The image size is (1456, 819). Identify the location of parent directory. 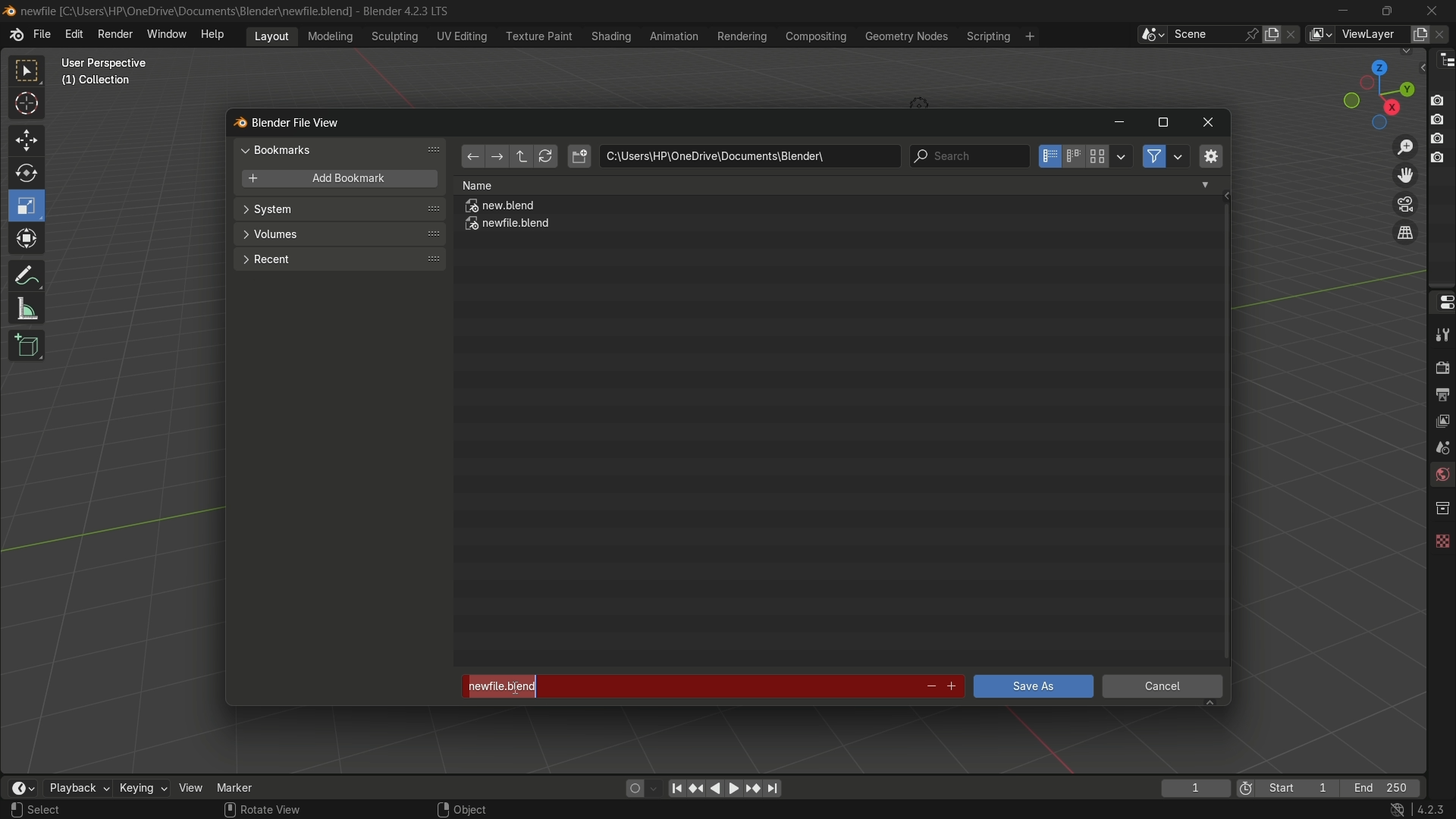
(523, 156).